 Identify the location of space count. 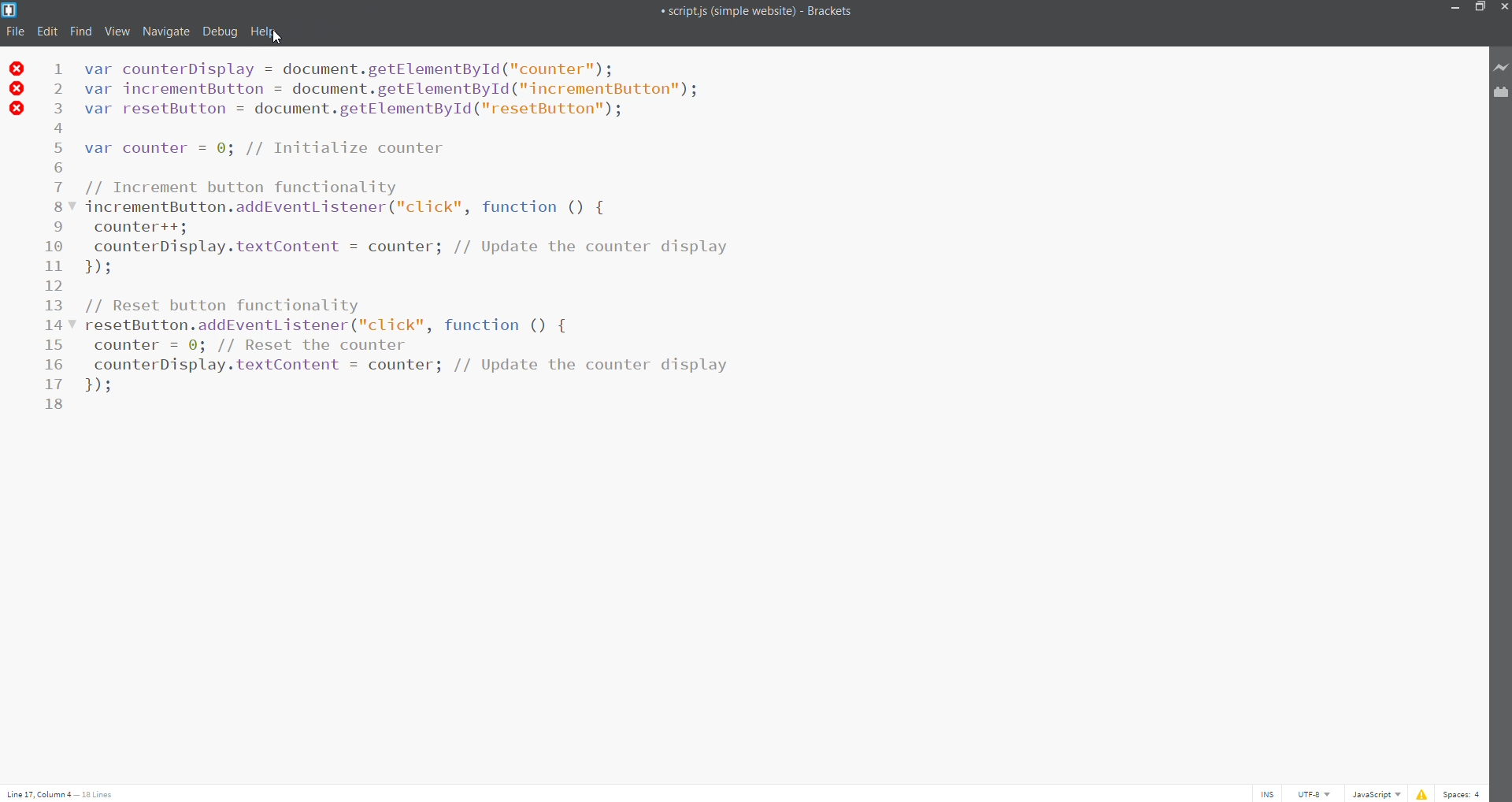
(1462, 793).